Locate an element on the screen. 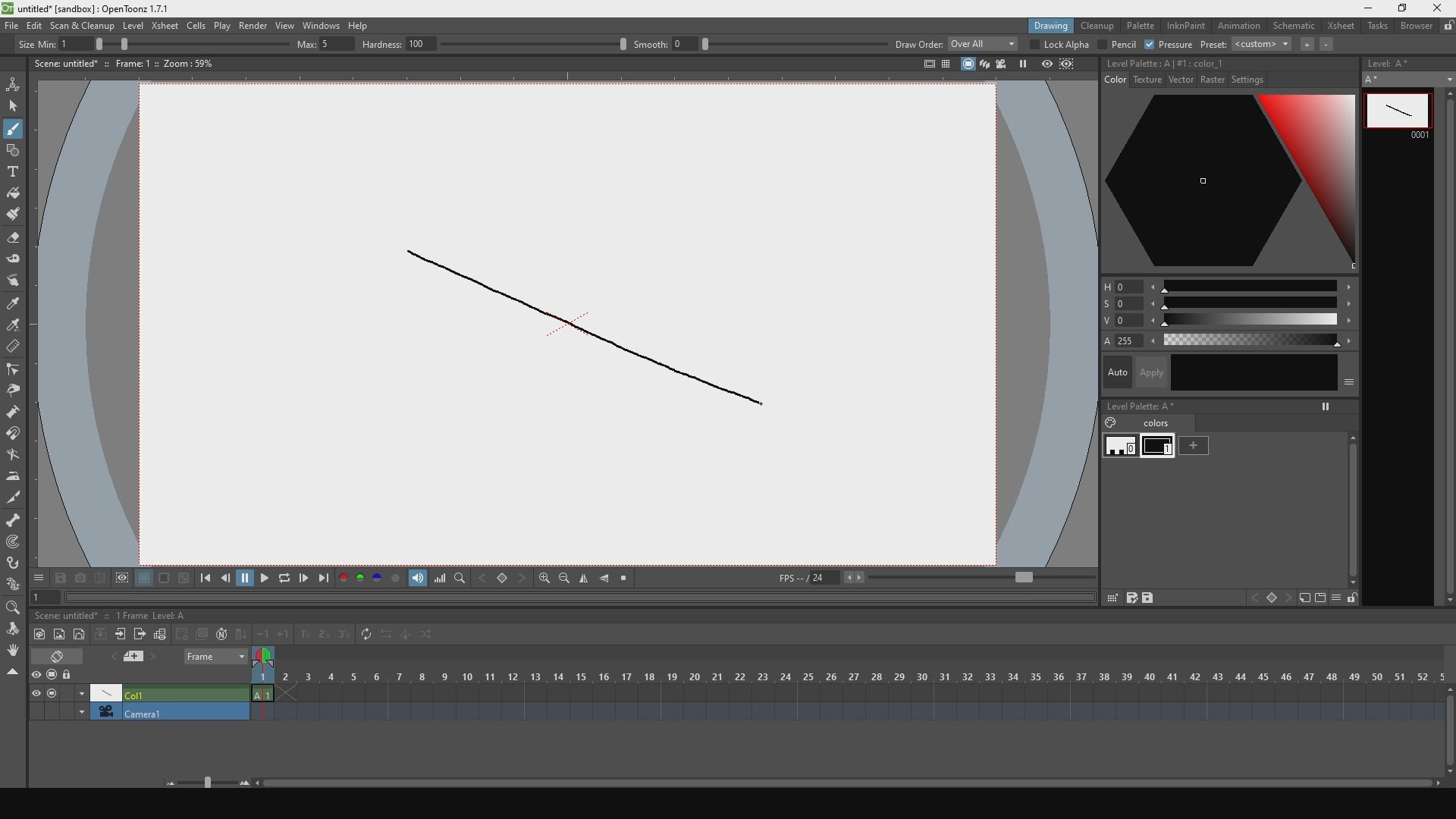  define region is located at coordinates (121, 580).